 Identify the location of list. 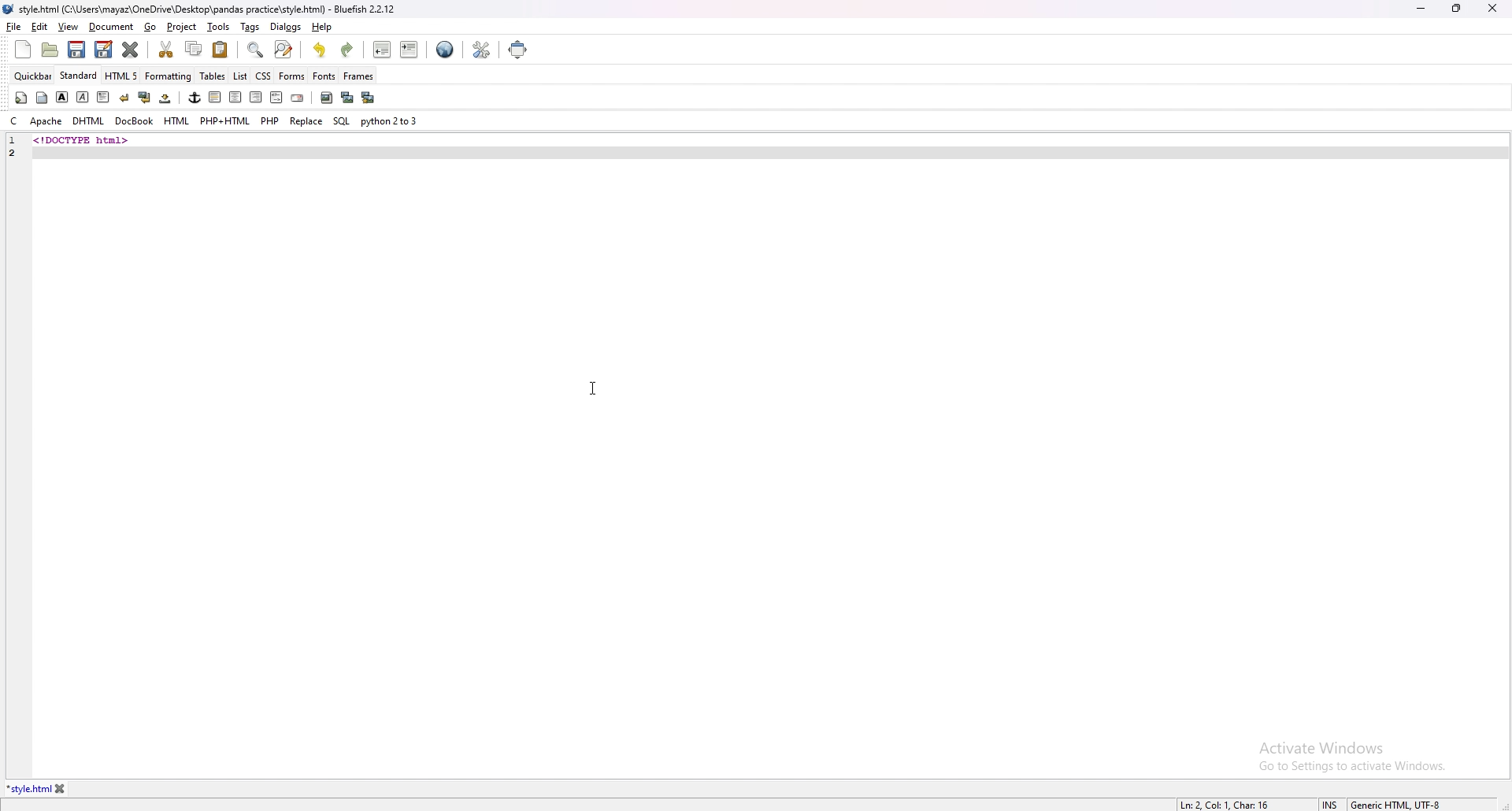
(240, 75).